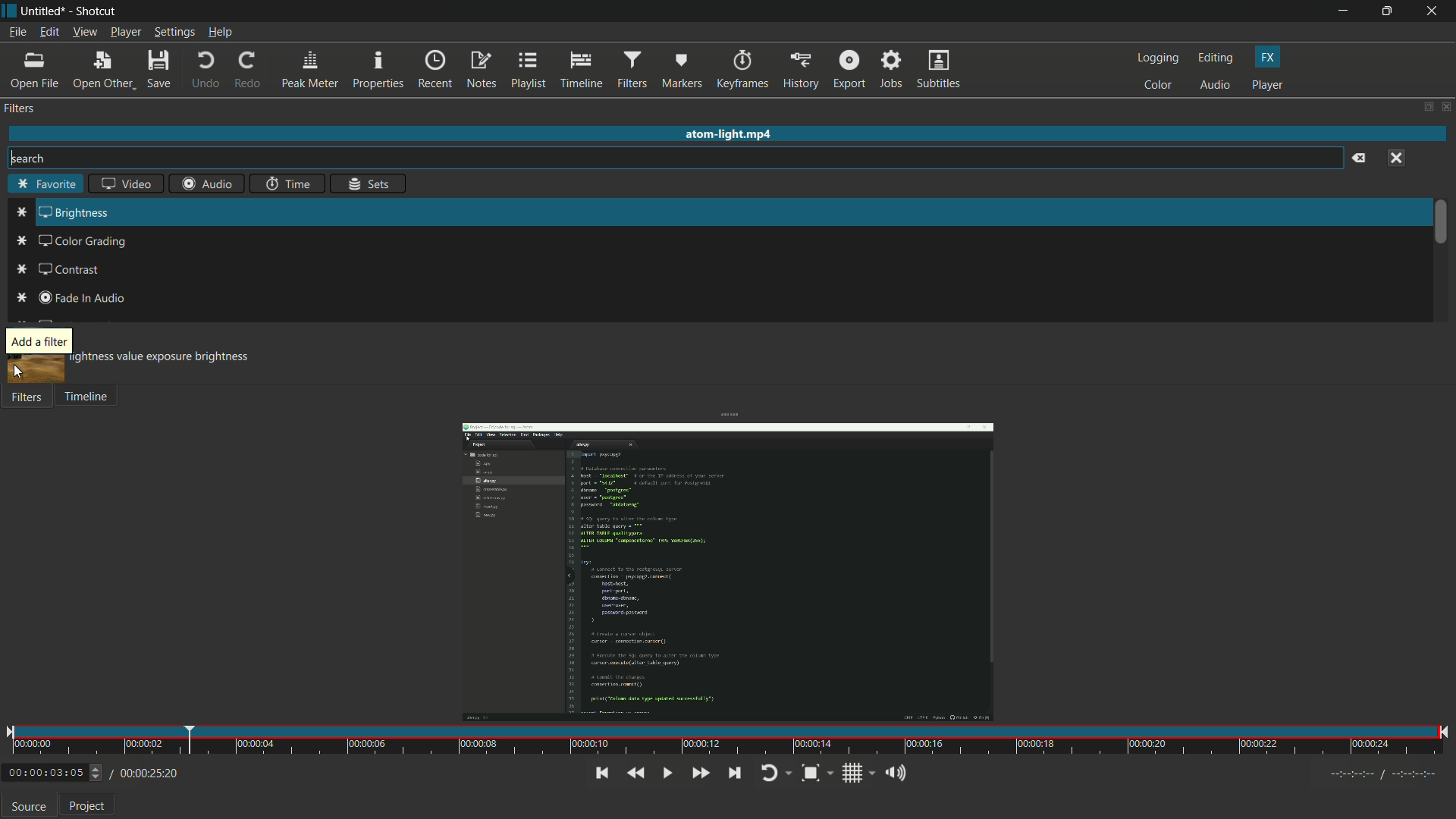 The width and height of the screenshot is (1456, 819). I want to click on play quickly backward, so click(635, 773).